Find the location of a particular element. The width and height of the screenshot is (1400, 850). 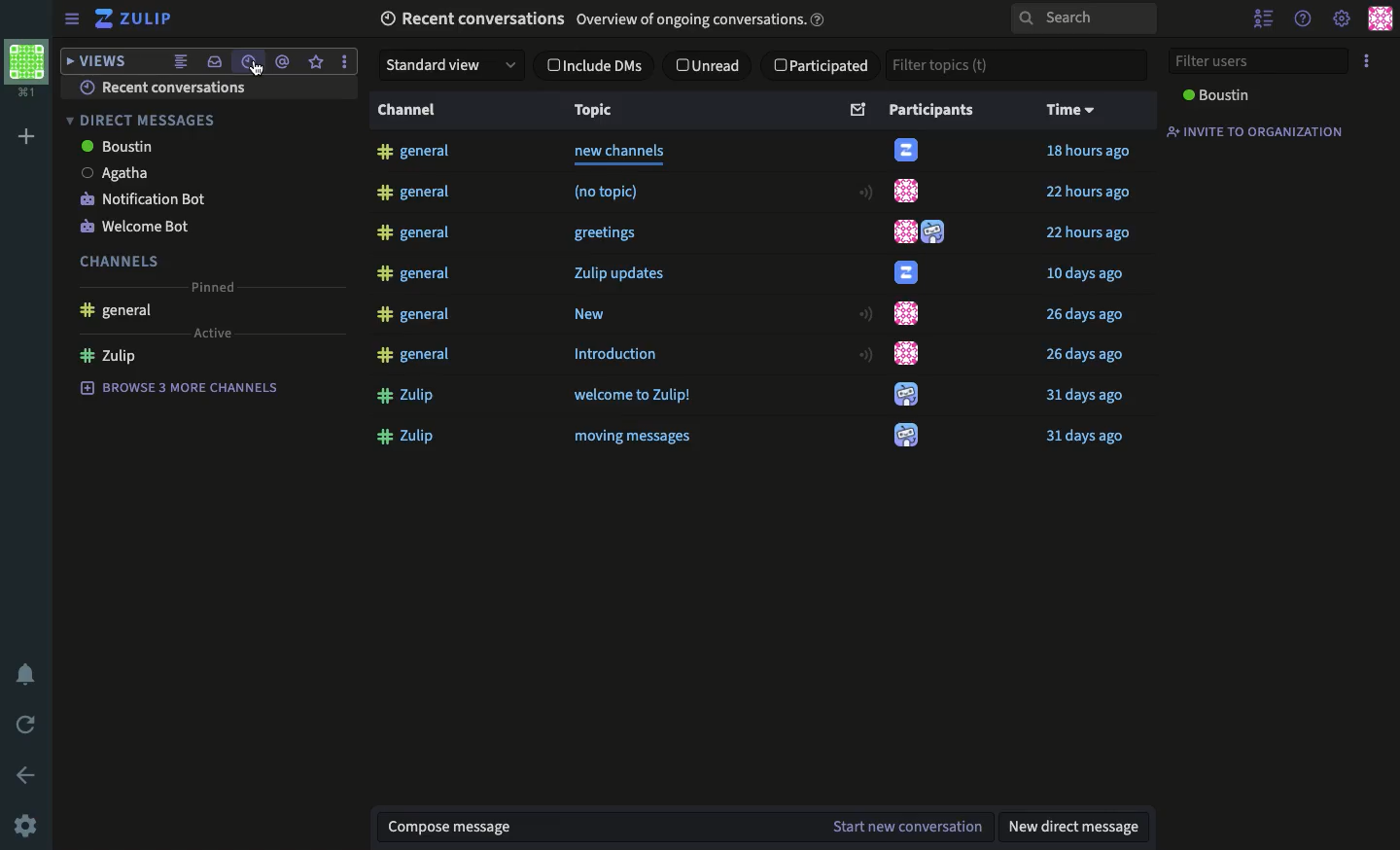

unread  is located at coordinates (713, 67).